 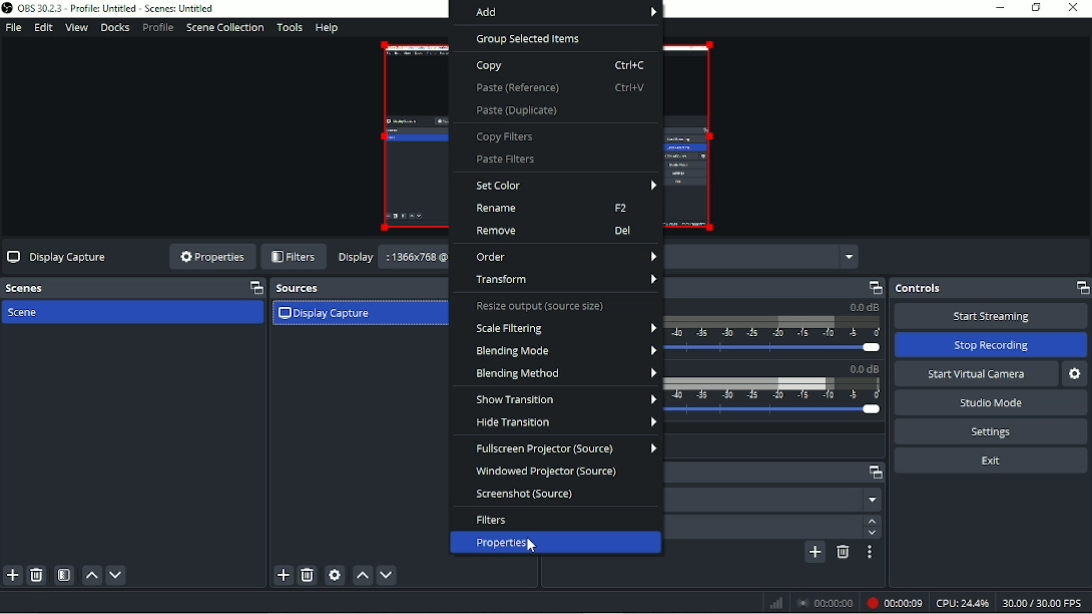 I want to click on Scale filtering, so click(x=565, y=329).